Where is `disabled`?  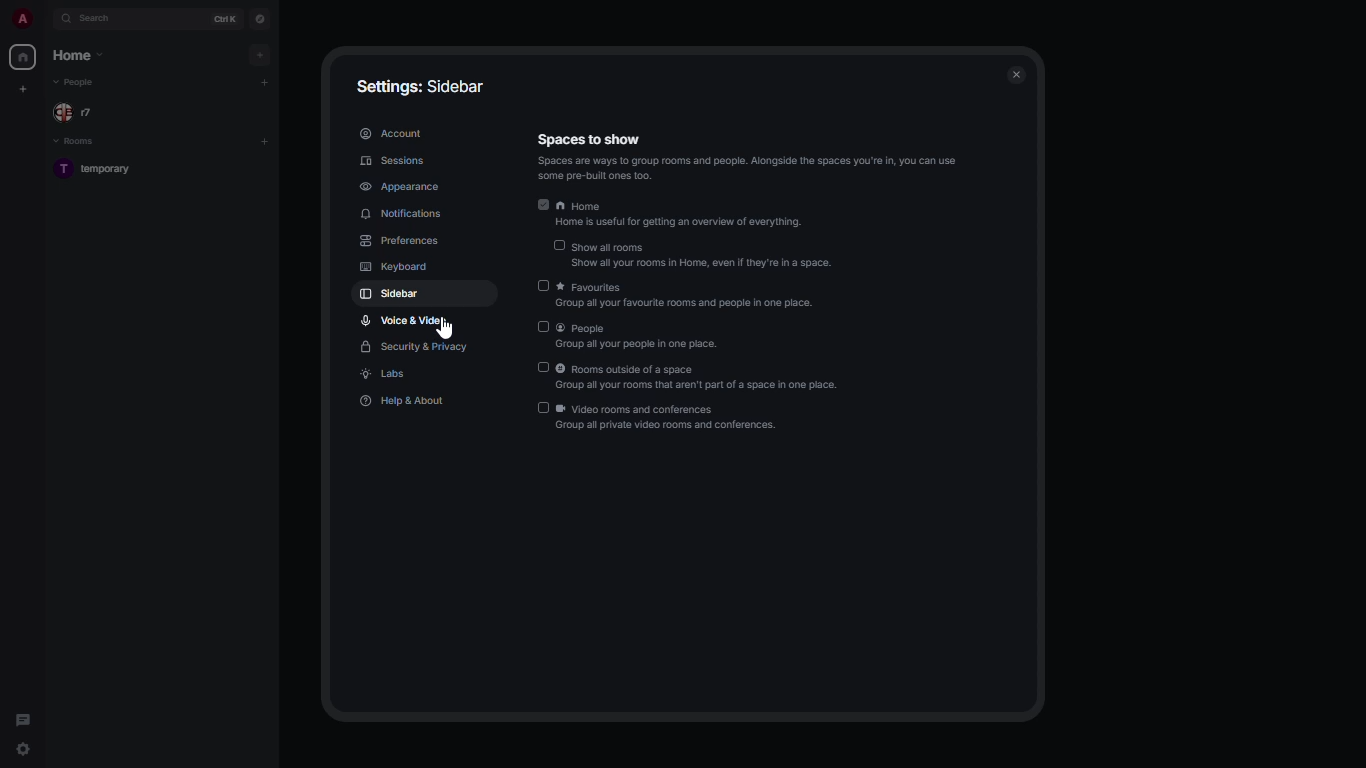 disabled is located at coordinates (542, 285).